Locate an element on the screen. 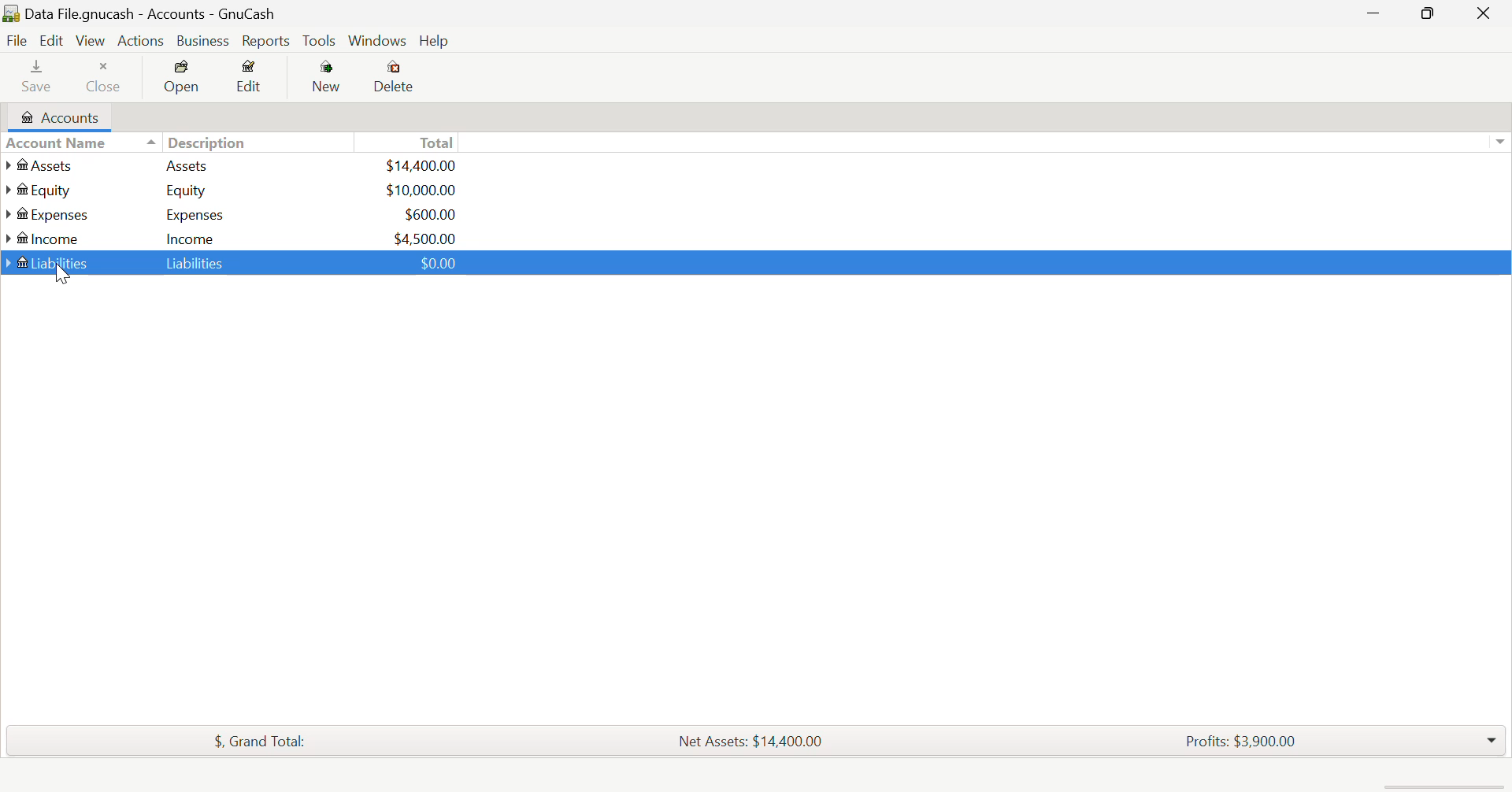 This screenshot has width=1512, height=792. Reports is located at coordinates (269, 41).